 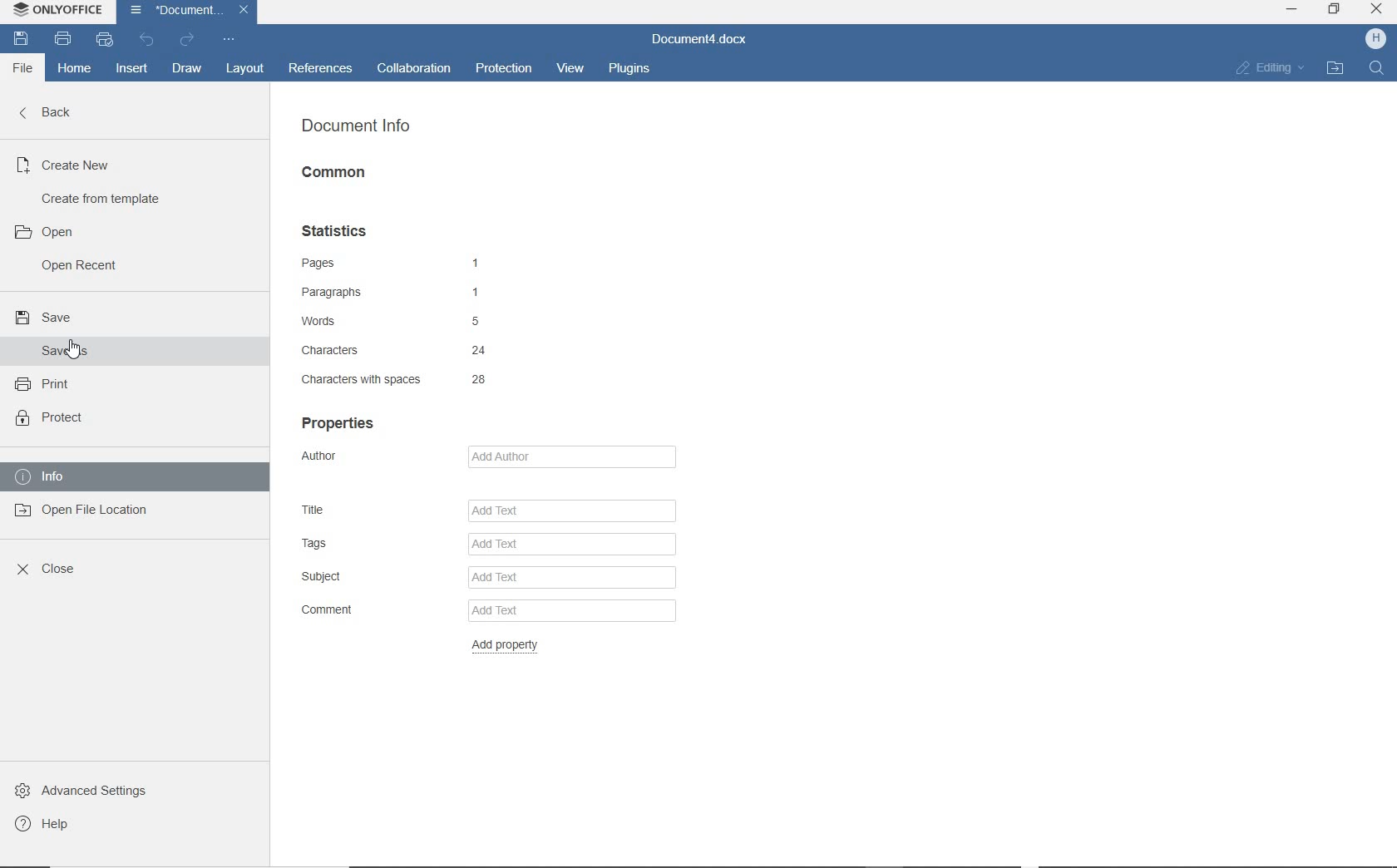 I want to click on insert, so click(x=132, y=69).